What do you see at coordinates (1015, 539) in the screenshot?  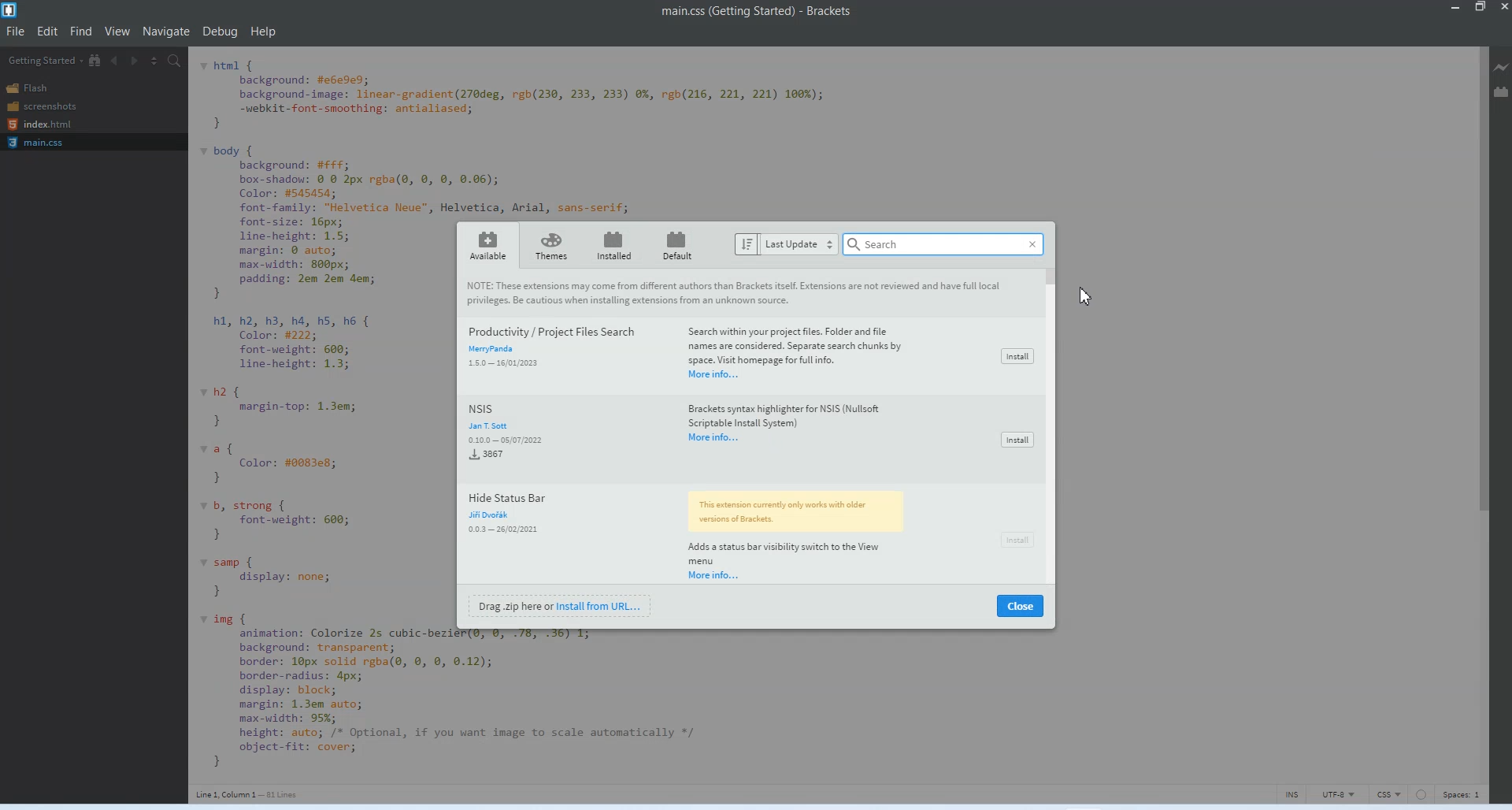 I see `Install` at bounding box center [1015, 539].